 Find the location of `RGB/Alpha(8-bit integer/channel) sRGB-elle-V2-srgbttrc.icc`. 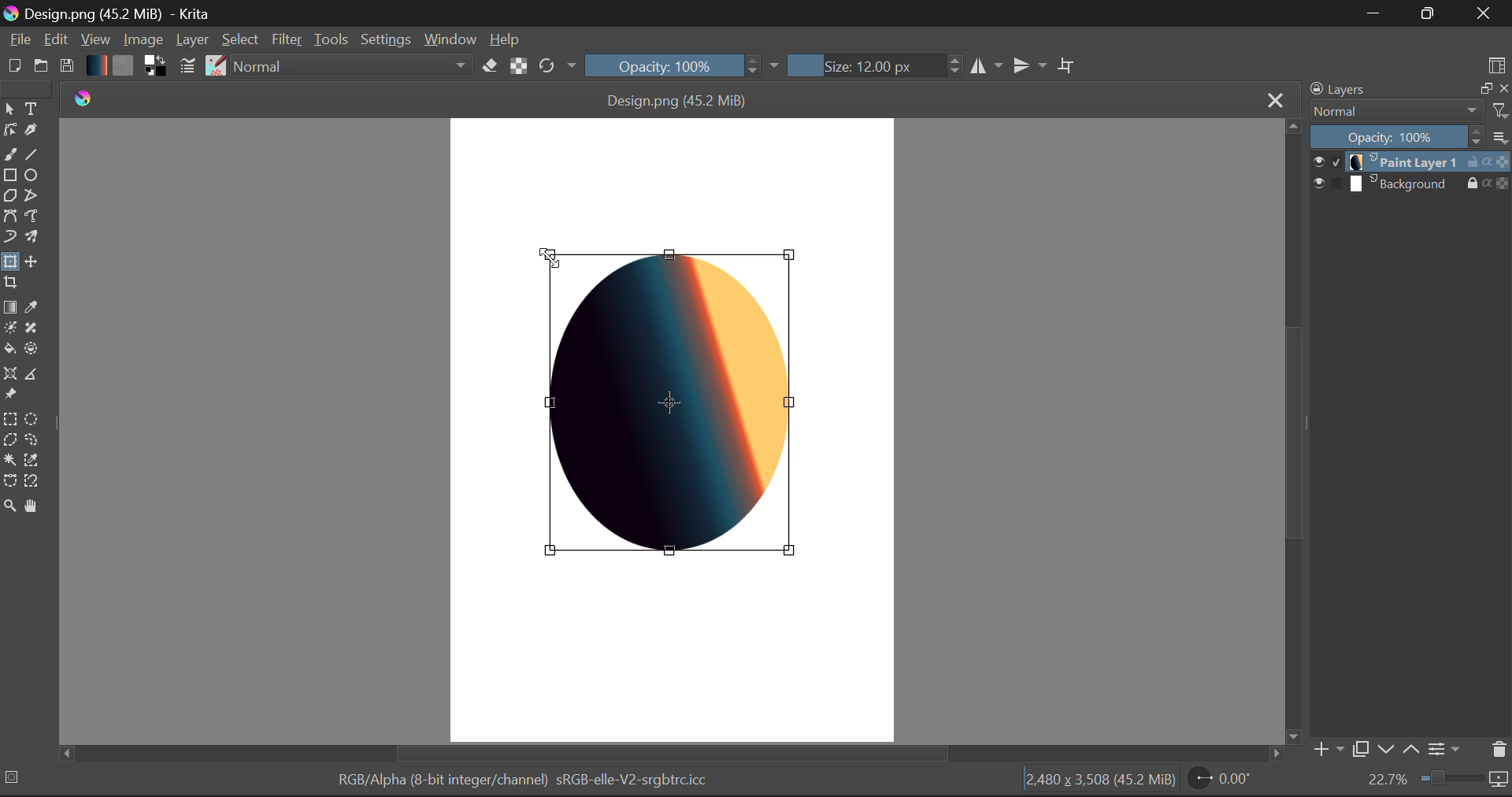

RGB/Alpha(8-bit integer/channel) sRGB-elle-V2-srgbttrc.icc is located at coordinates (520, 782).